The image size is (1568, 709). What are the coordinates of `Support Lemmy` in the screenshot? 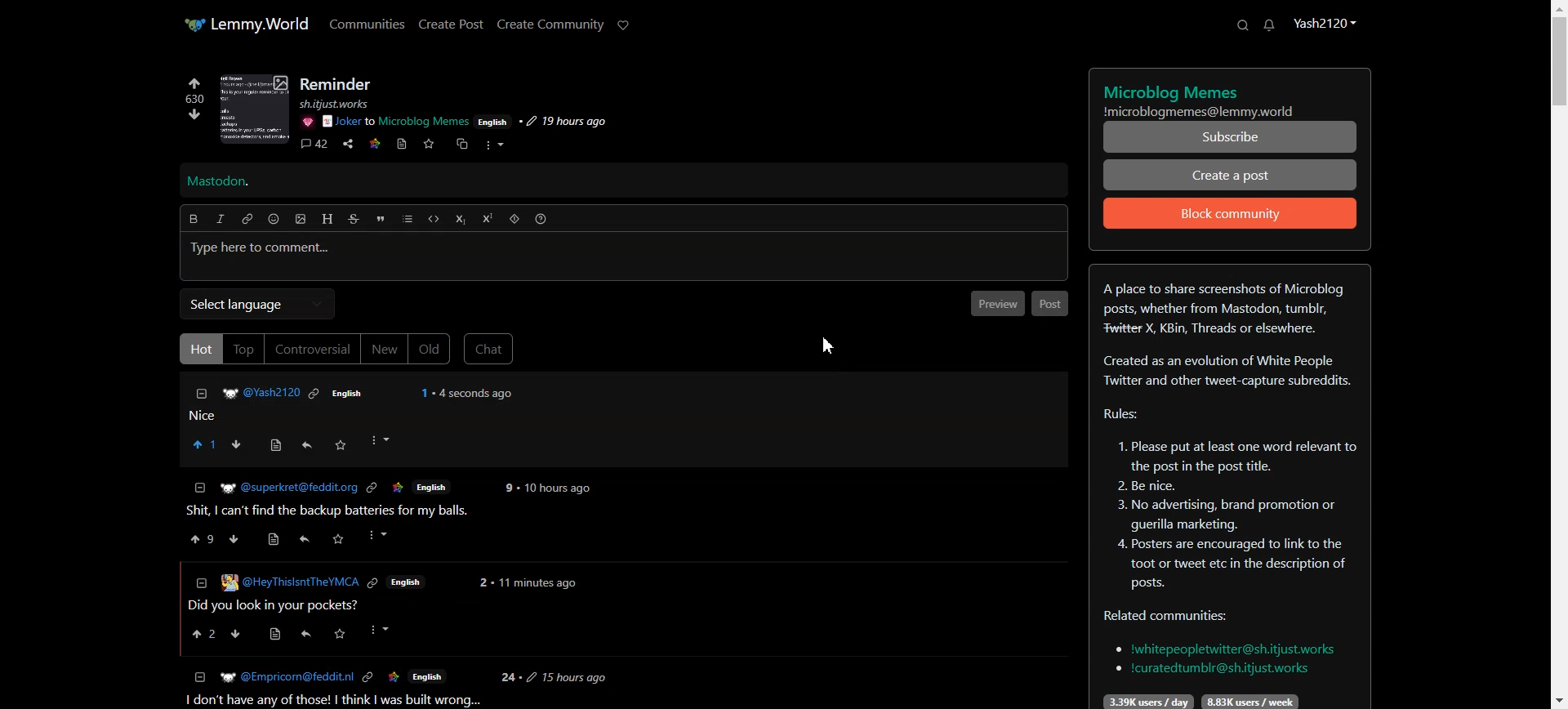 It's located at (624, 25).